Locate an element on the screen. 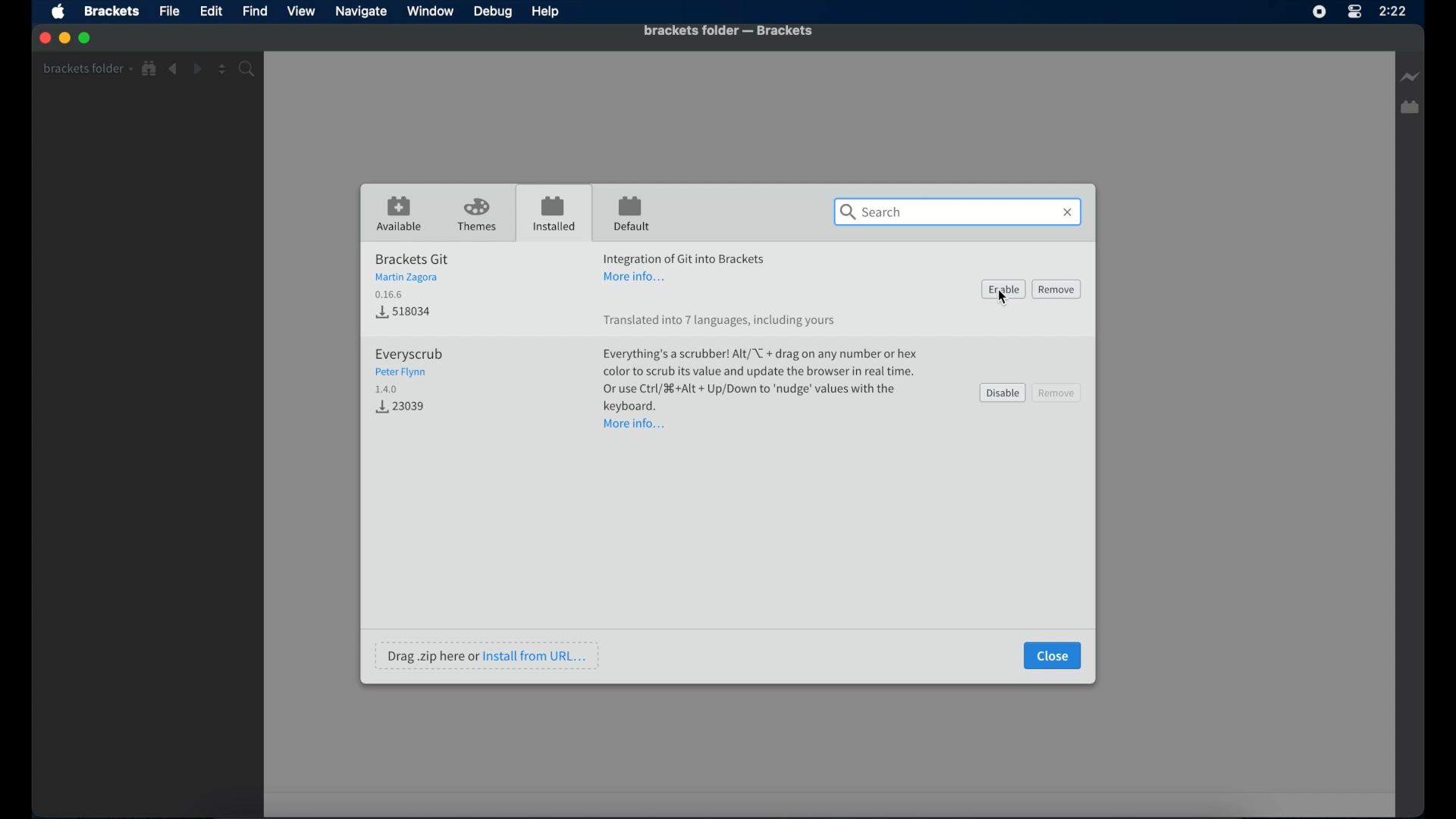 The width and height of the screenshot is (1456, 819). close is located at coordinates (43, 38).